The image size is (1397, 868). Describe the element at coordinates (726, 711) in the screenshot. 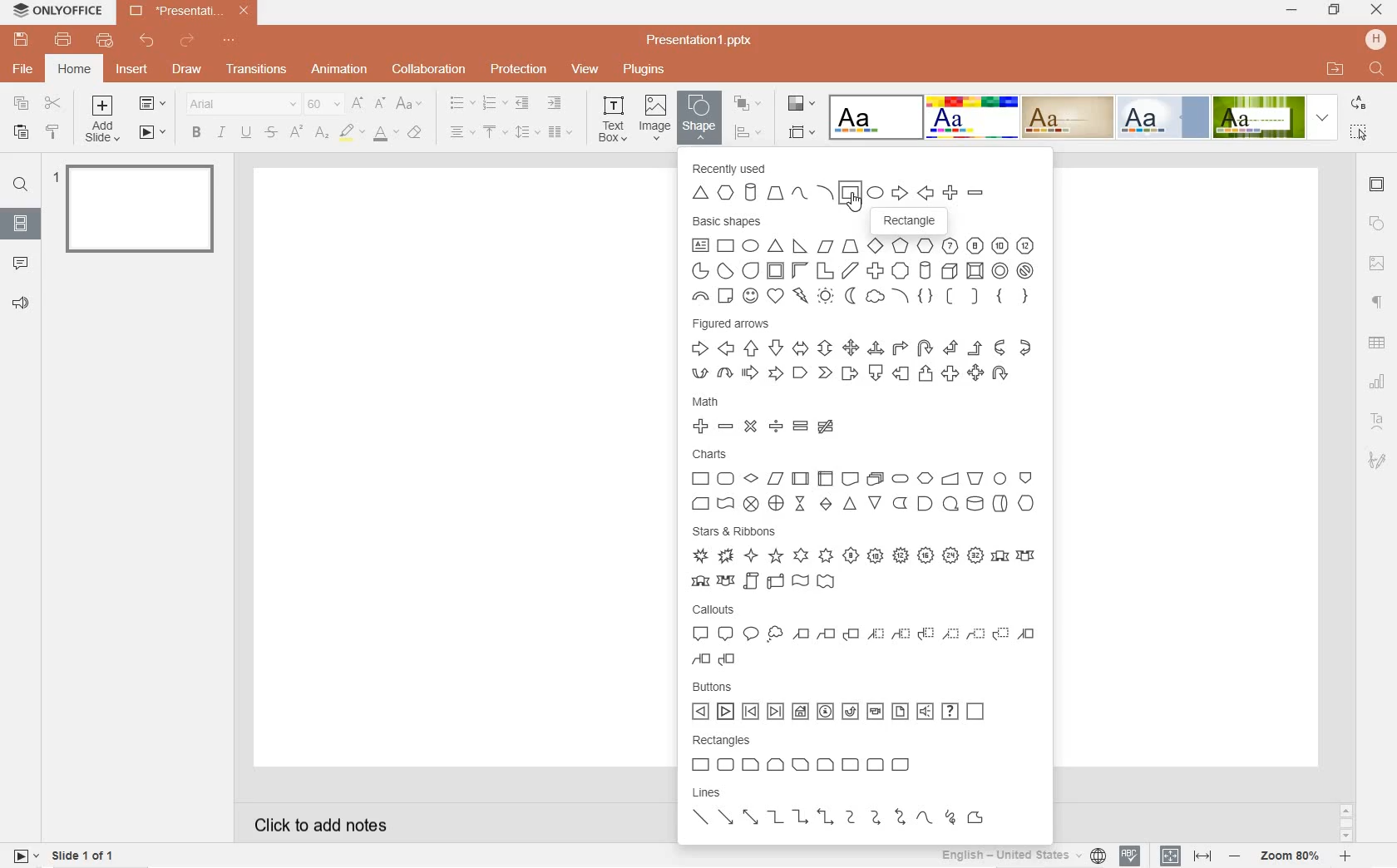

I see `Next or forward button` at that location.